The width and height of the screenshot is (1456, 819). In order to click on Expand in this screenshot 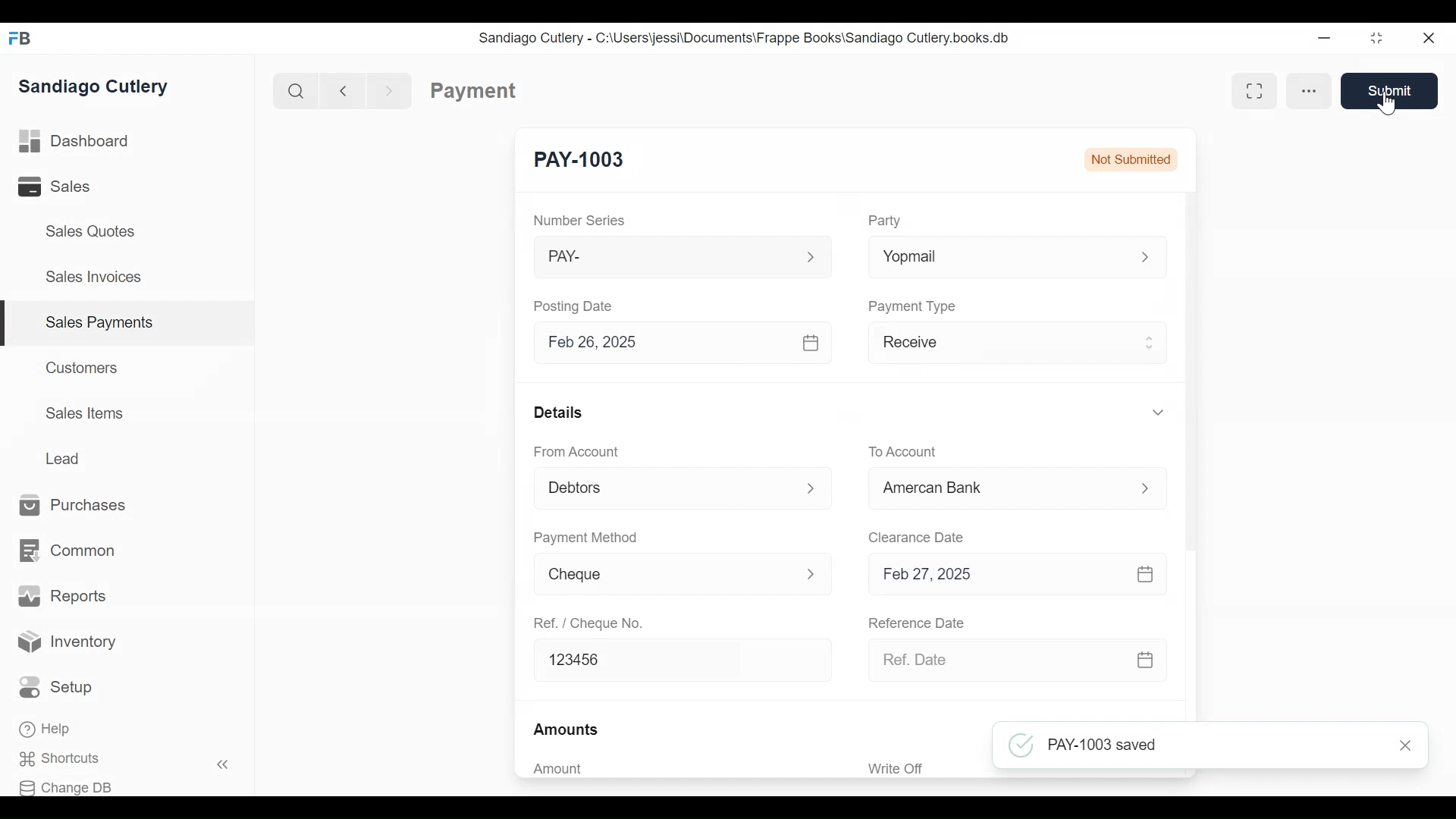, I will do `click(1146, 488)`.